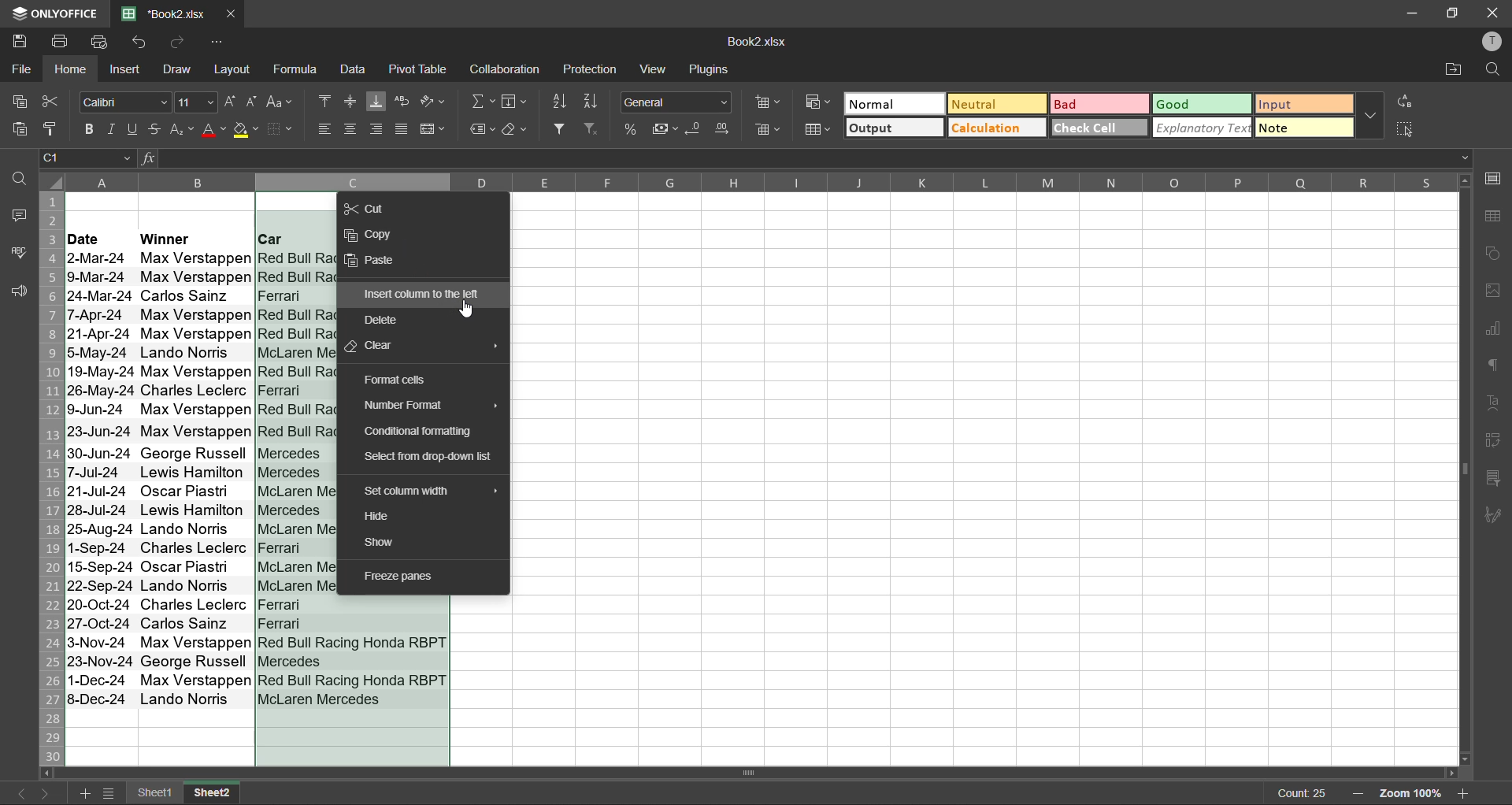  What do you see at coordinates (425, 293) in the screenshot?
I see `insert column to the left` at bounding box center [425, 293].